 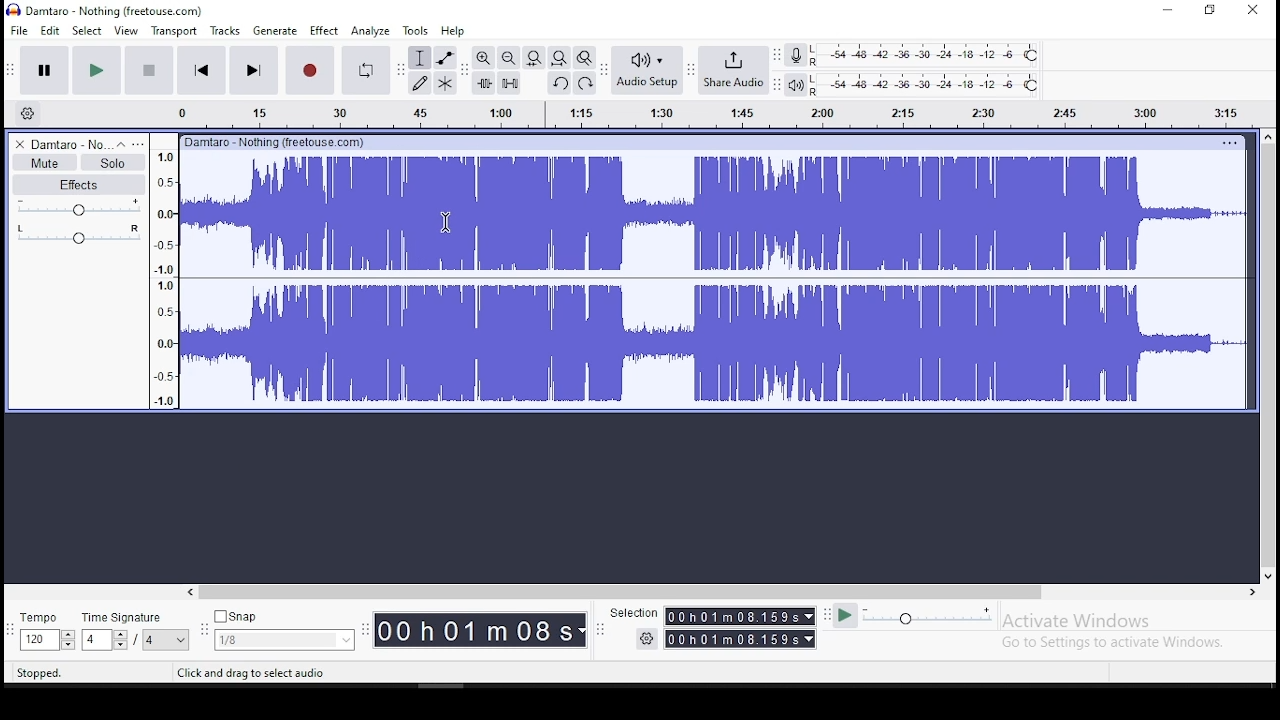 What do you see at coordinates (324, 31) in the screenshot?
I see `effects` at bounding box center [324, 31].